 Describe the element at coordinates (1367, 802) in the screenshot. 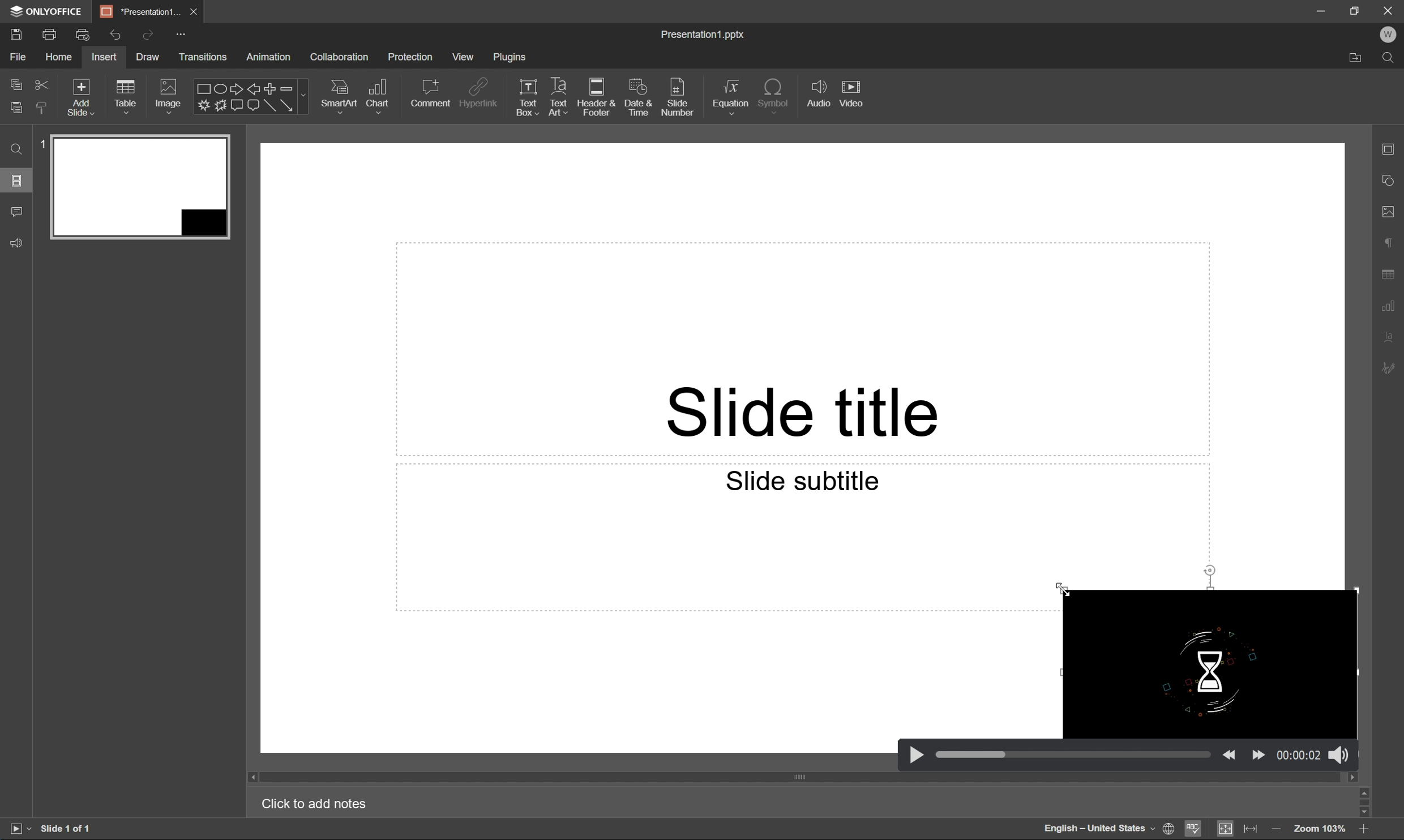

I see `scroll bar` at that location.